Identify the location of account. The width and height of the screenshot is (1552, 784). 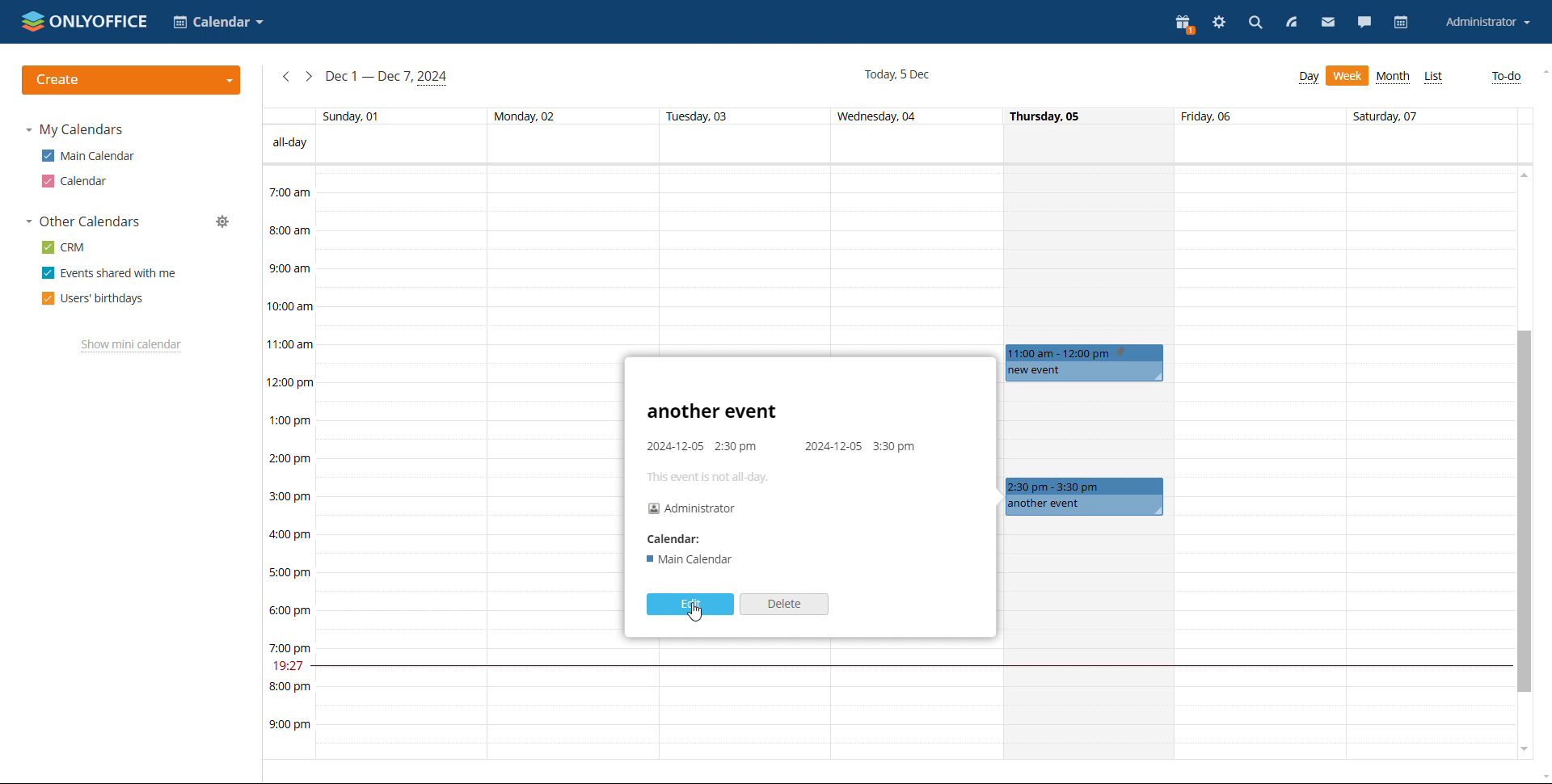
(1487, 23).